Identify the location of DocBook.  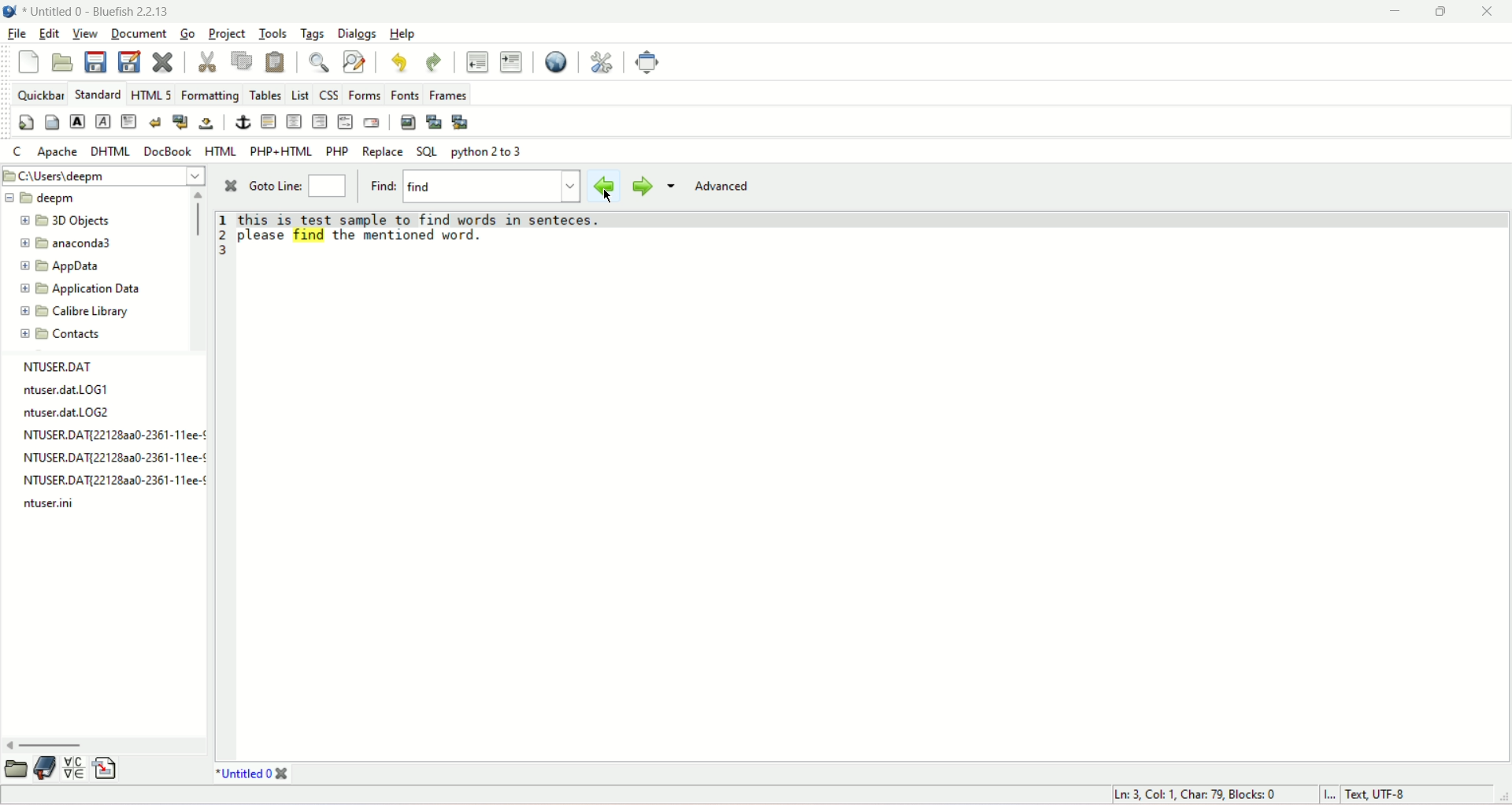
(168, 151).